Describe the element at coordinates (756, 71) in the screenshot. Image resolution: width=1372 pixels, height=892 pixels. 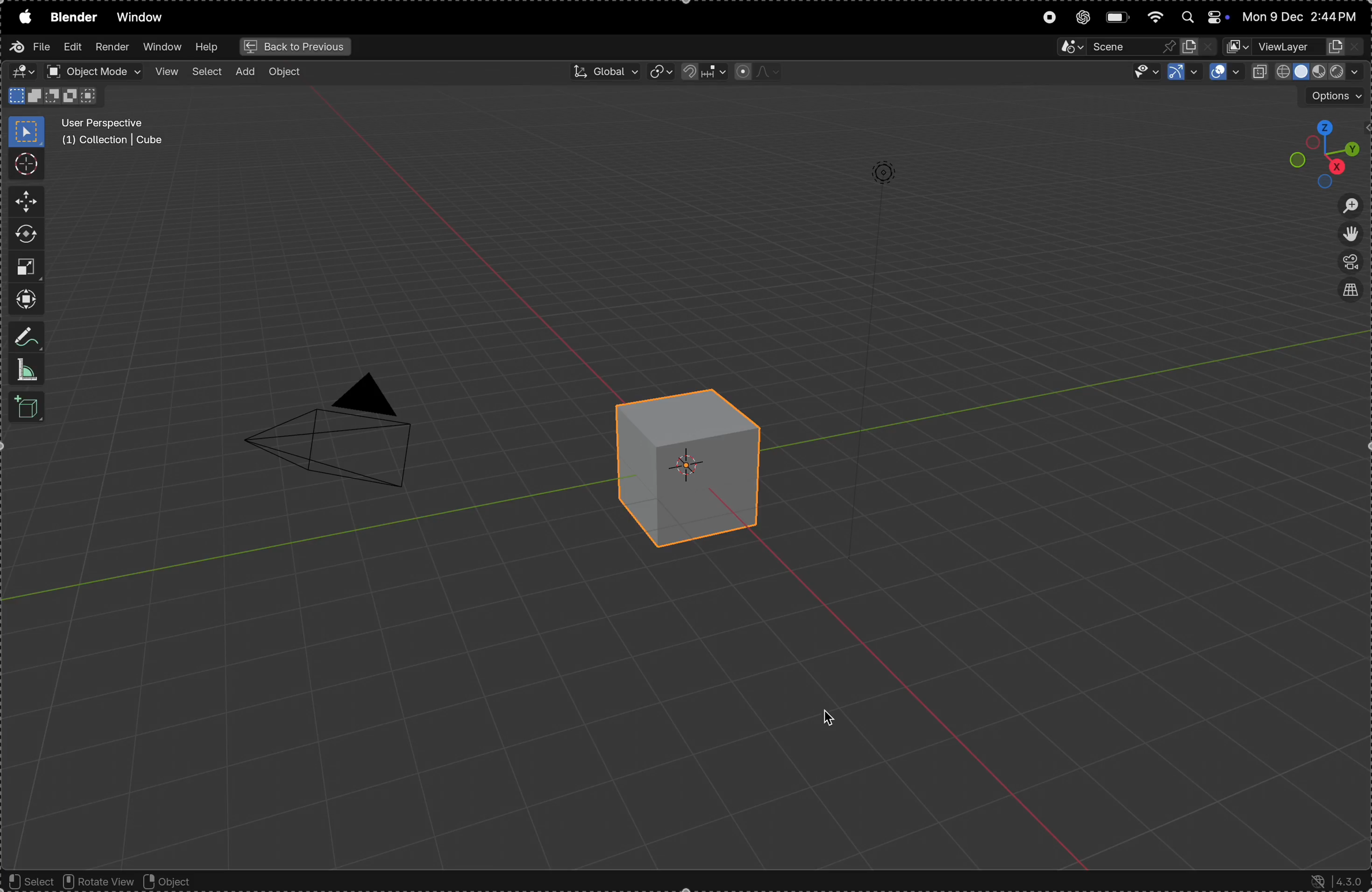
I see `proportional fall off` at that location.